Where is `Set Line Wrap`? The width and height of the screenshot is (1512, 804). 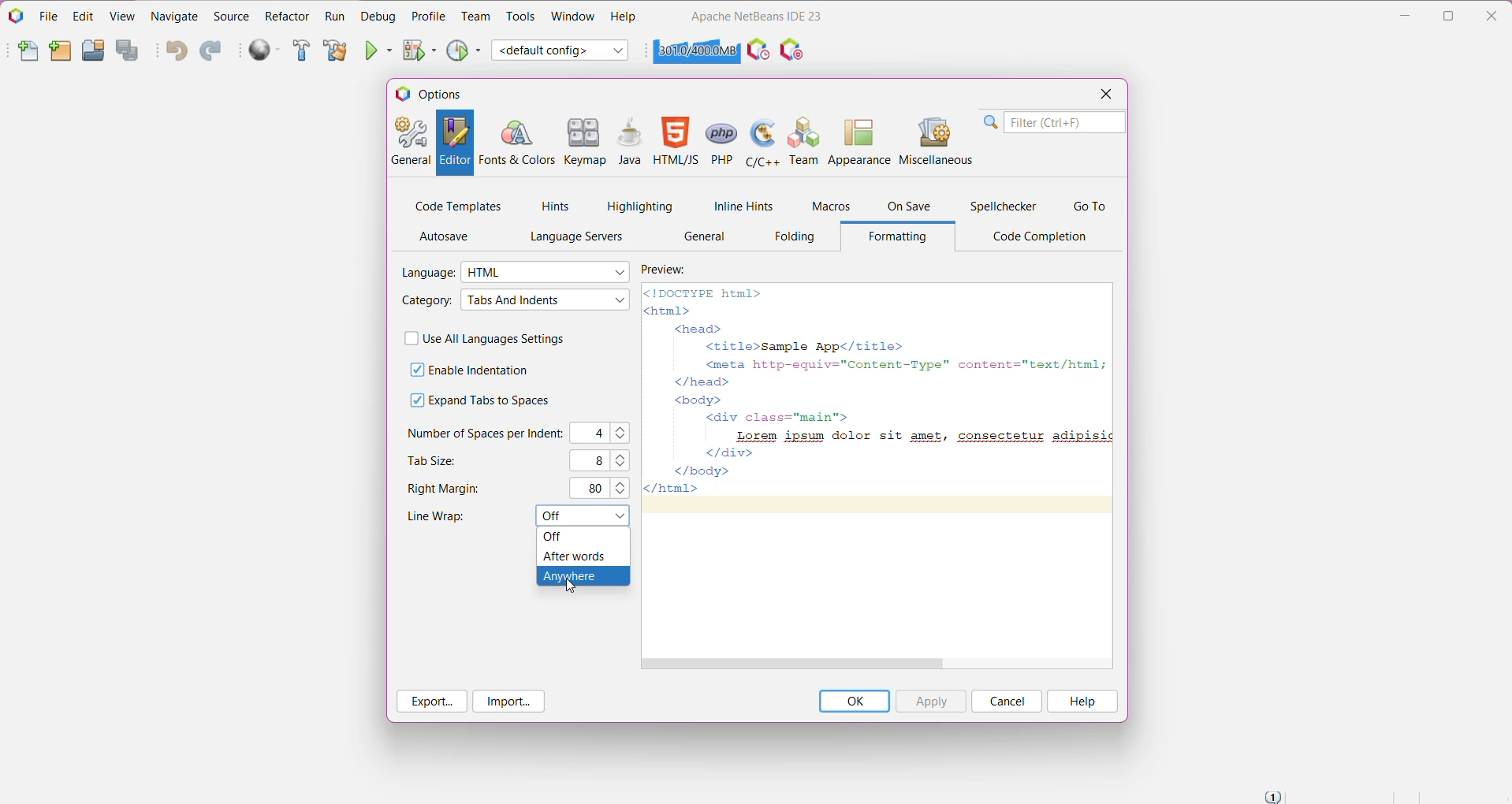
Set Line Wrap is located at coordinates (583, 513).